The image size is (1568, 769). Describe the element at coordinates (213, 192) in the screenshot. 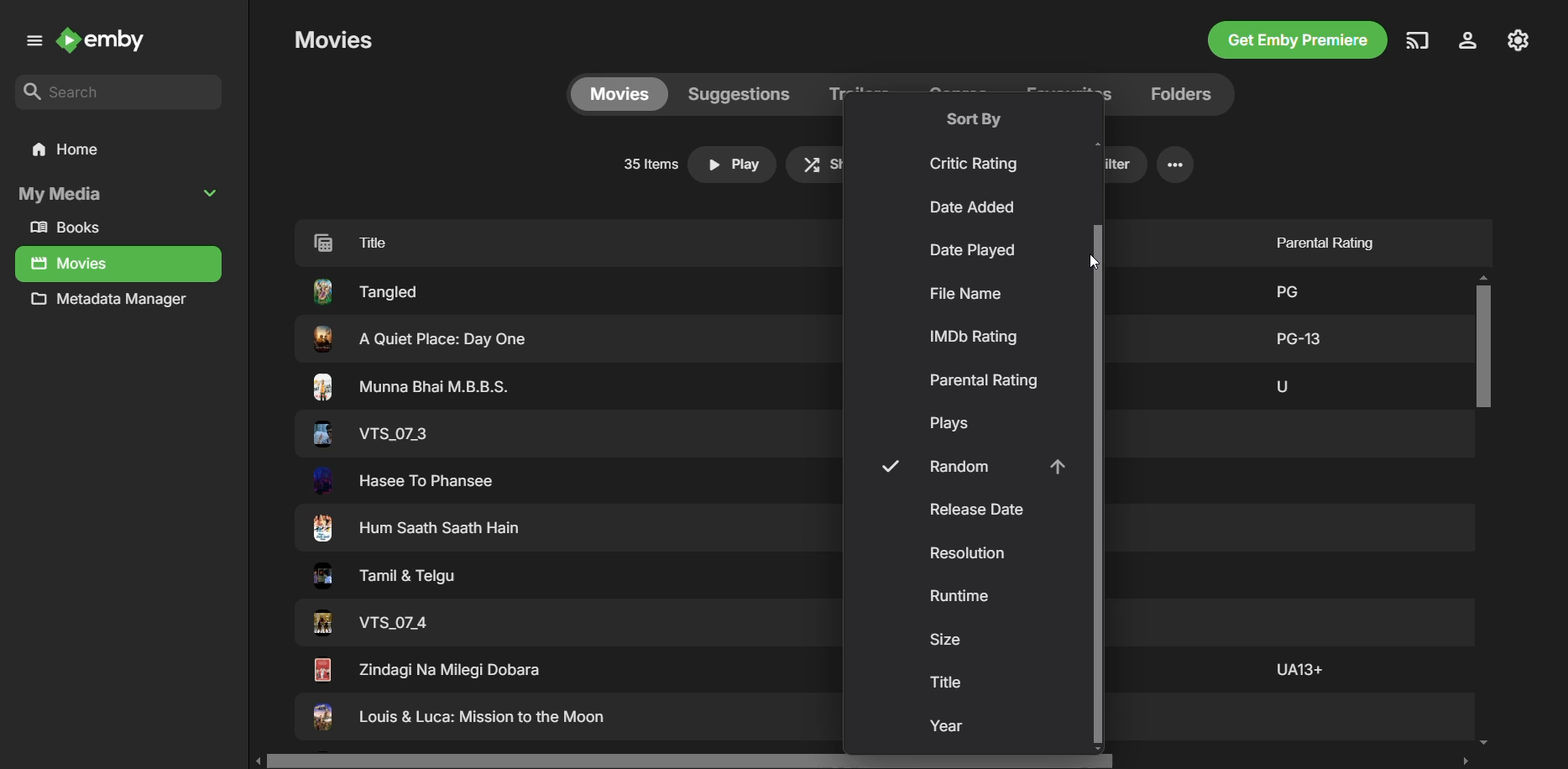

I see `Expand/Collapse` at that location.